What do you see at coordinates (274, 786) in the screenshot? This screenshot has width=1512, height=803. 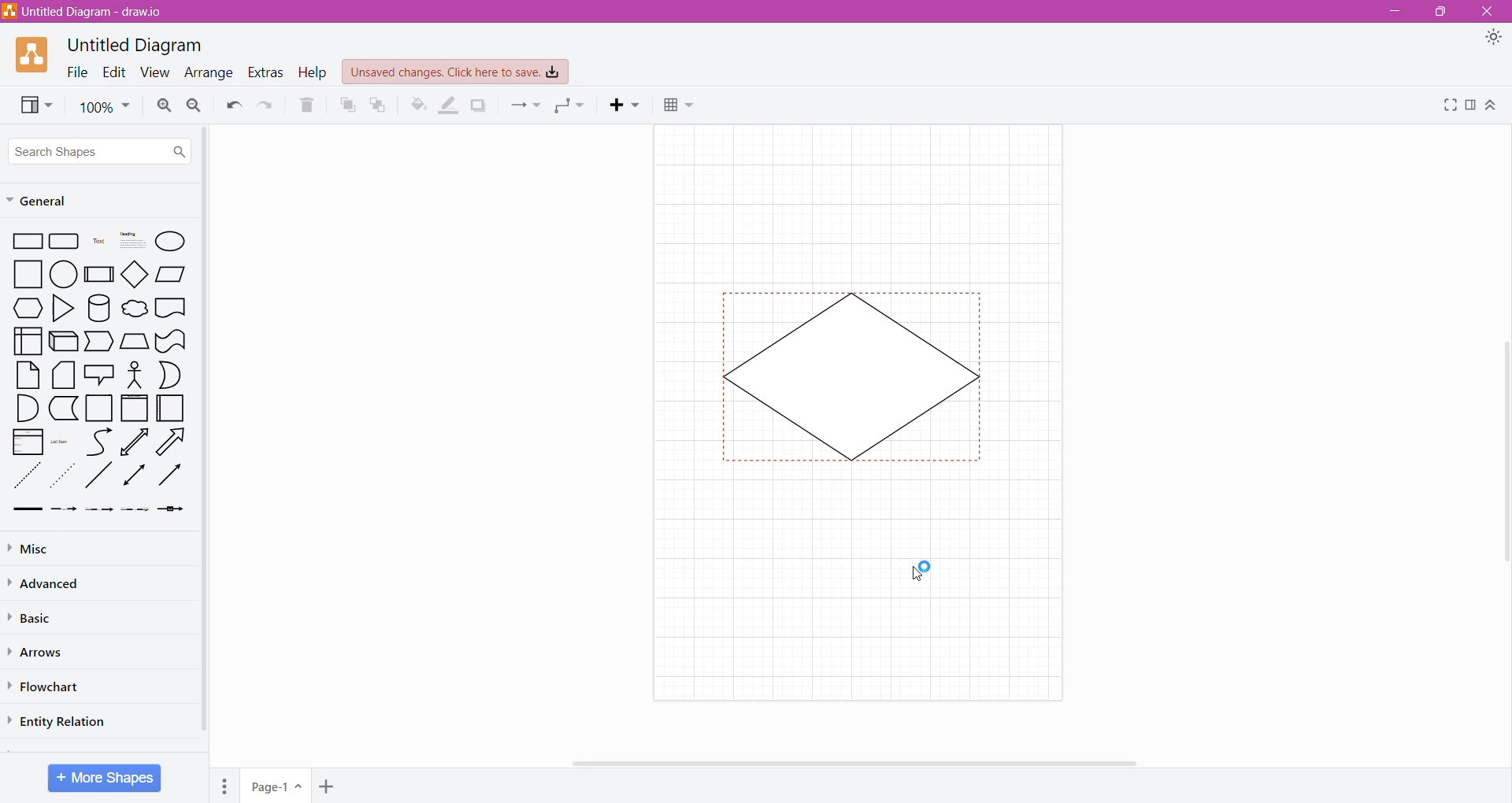 I see `Page-1` at bounding box center [274, 786].